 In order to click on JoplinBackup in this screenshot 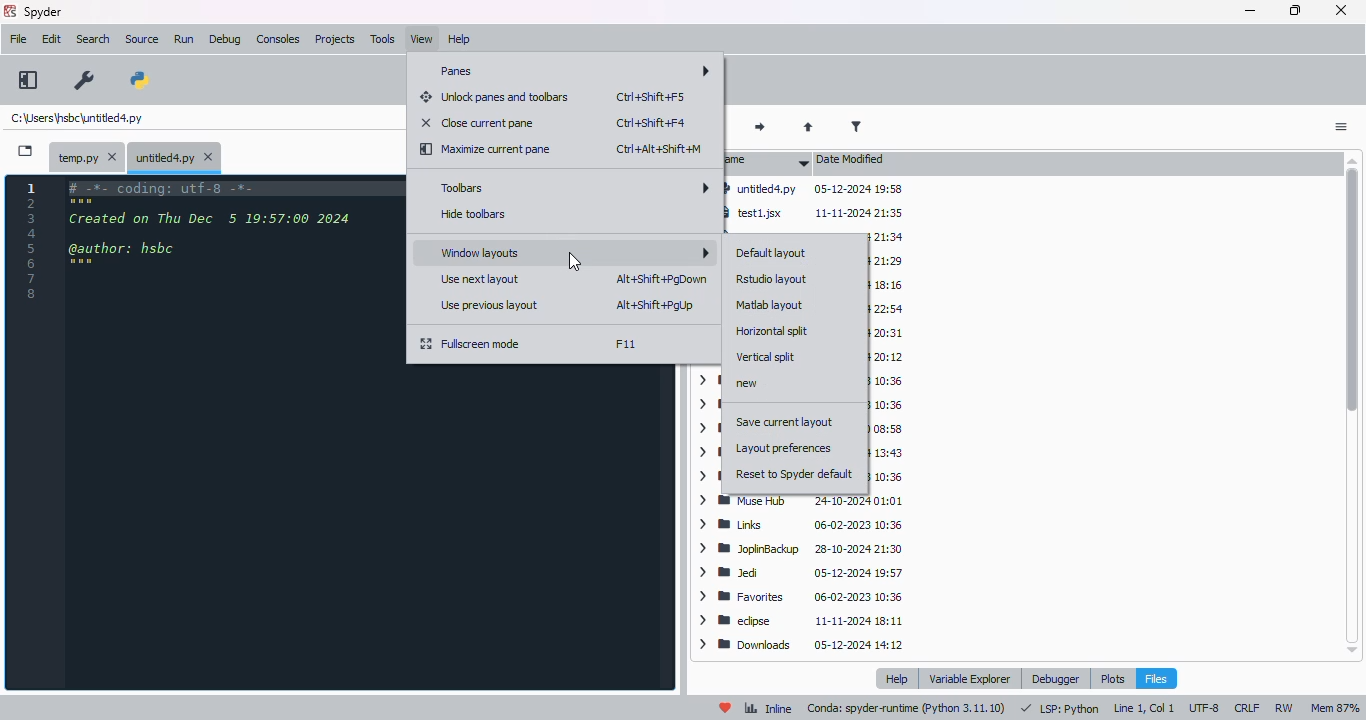, I will do `click(804, 551)`.